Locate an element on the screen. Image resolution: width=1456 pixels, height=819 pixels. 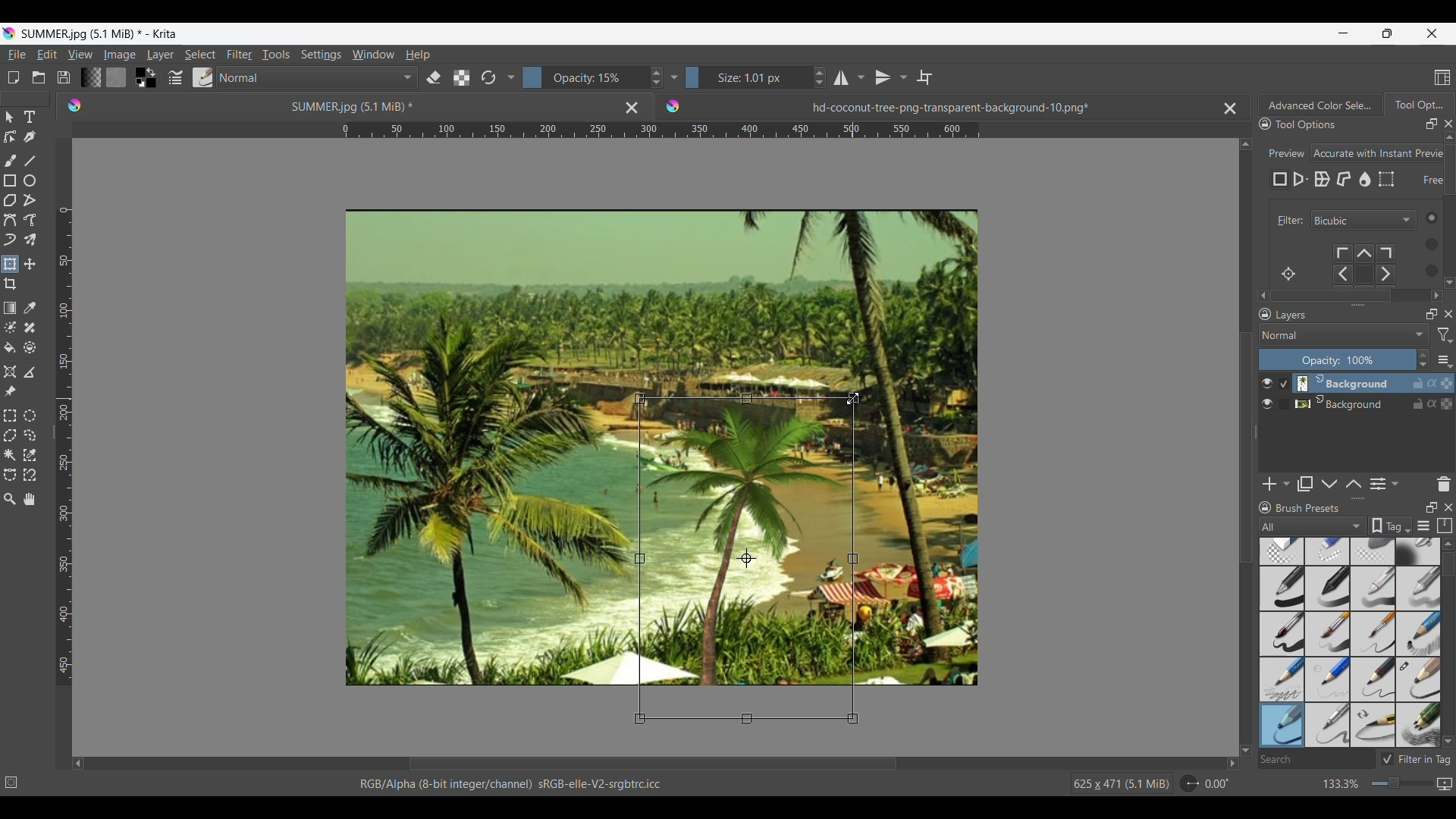
Increase/Decrease height of panels attached to this line is located at coordinates (1360, 498).